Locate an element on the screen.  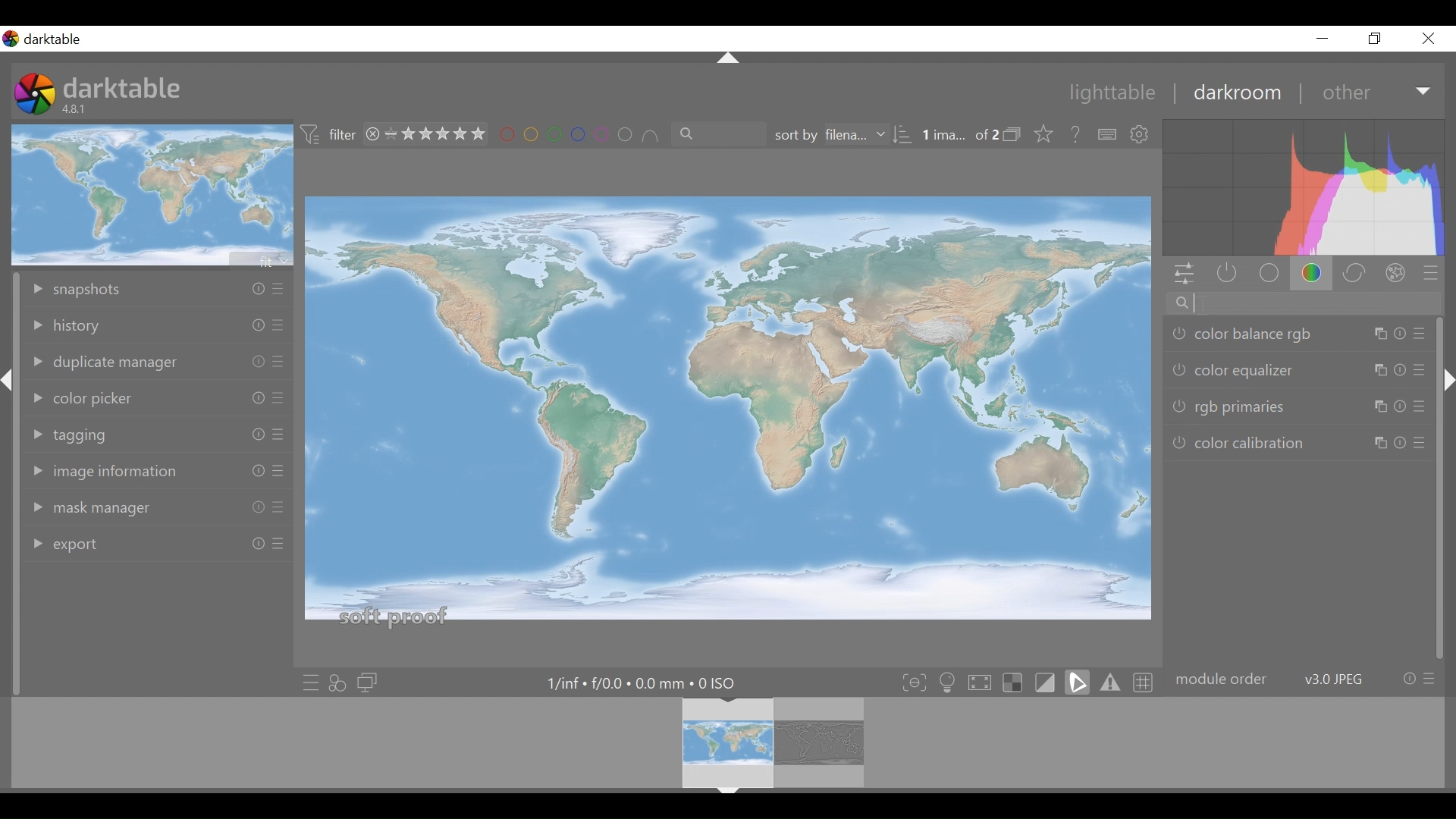
icon is located at coordinates (1012, 133).